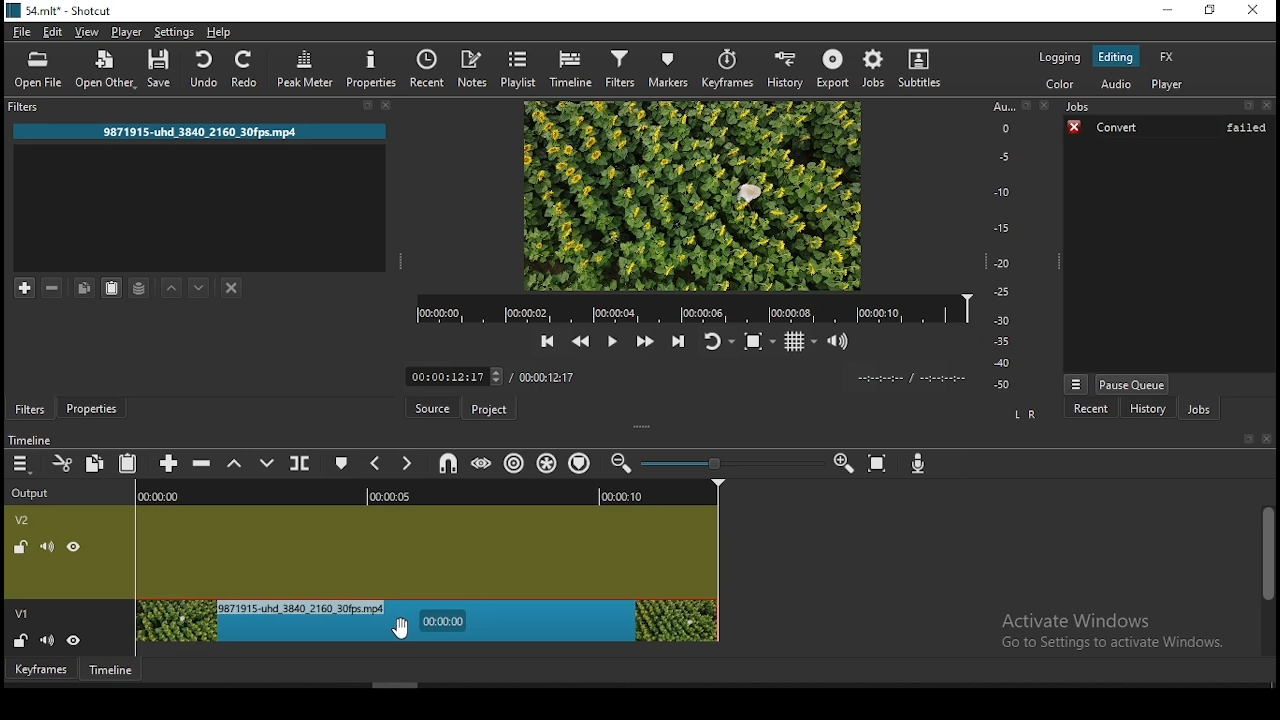 The image size is (1280, 720). Describe the element at coordinates (547, 464) in the screenshot. I see `ripple all tracks` at that location.